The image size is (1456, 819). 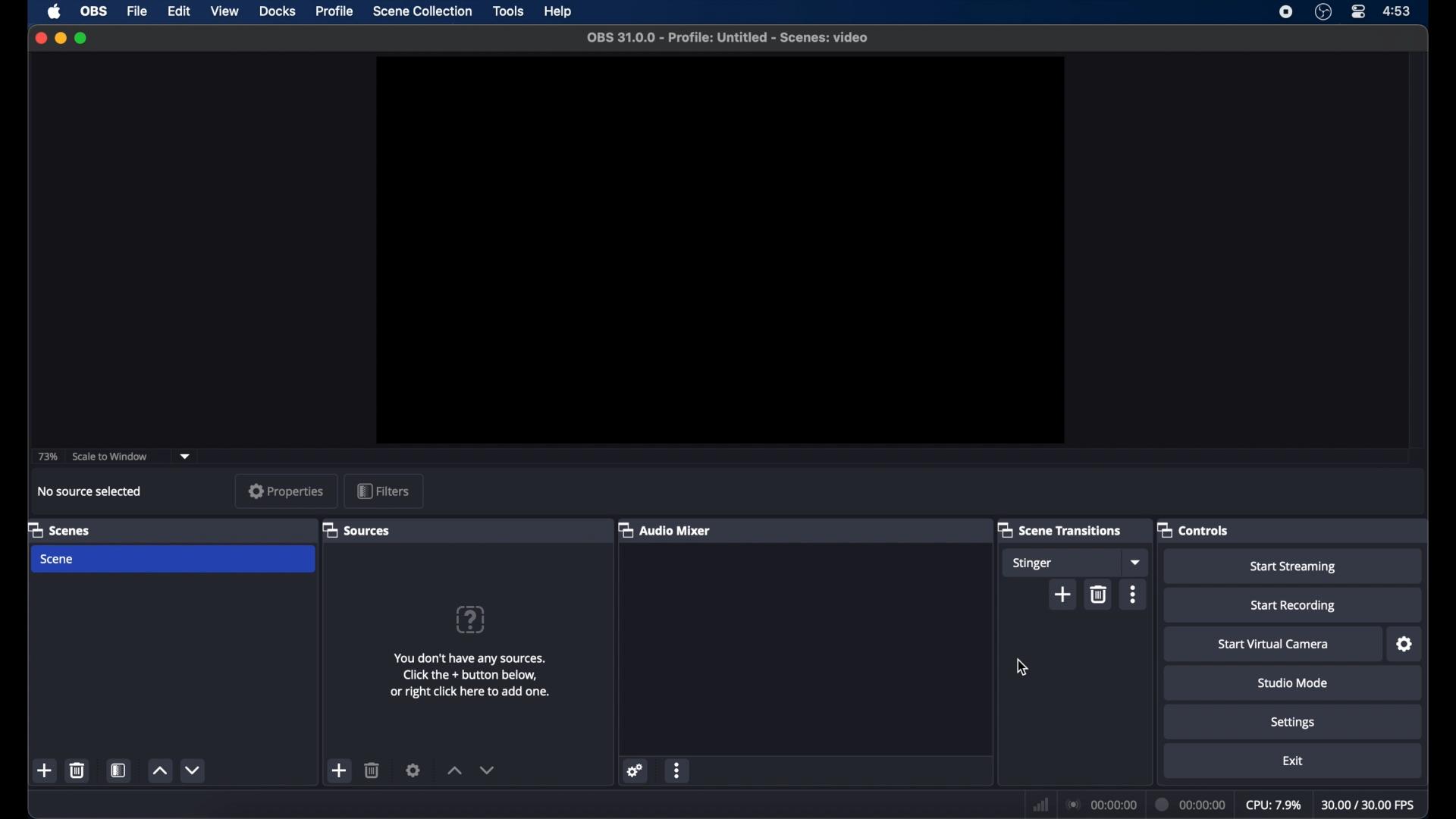 I want to click on add, so click(x=45, y=771).